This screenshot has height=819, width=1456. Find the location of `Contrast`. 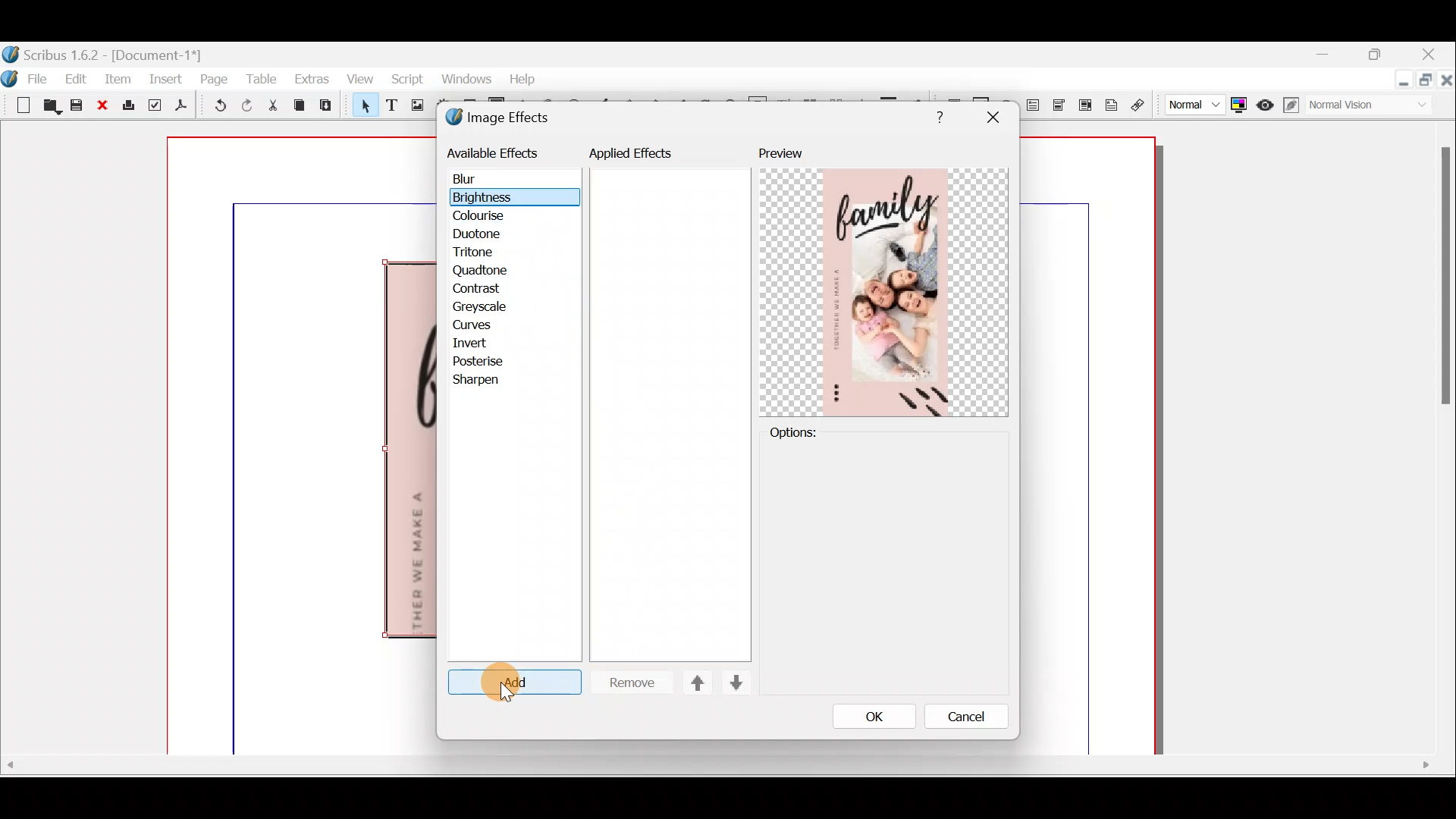

Contrast is located at coordinates (481, 290).